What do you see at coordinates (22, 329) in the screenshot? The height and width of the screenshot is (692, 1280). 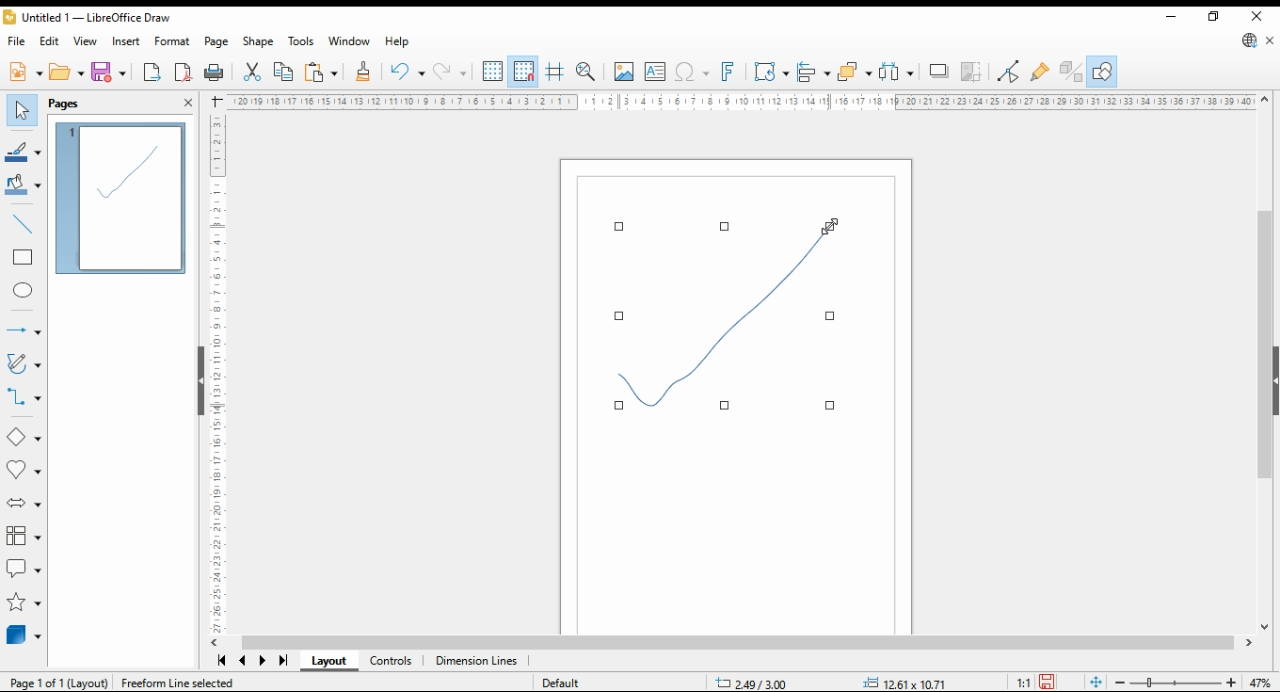 I see `arrows ` at bounding box center [22, 329].